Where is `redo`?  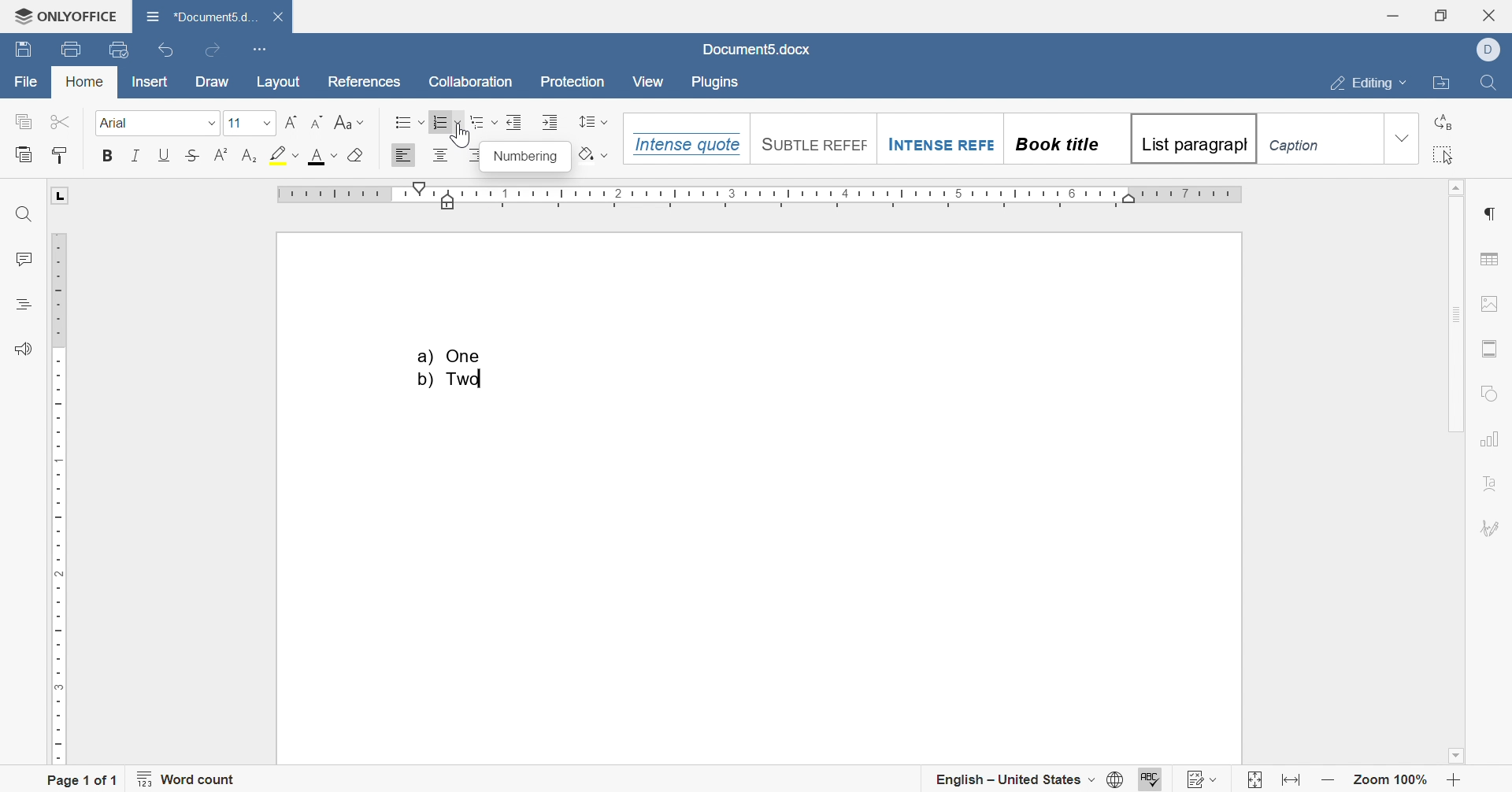 redo is located at coordinates (213, 50).